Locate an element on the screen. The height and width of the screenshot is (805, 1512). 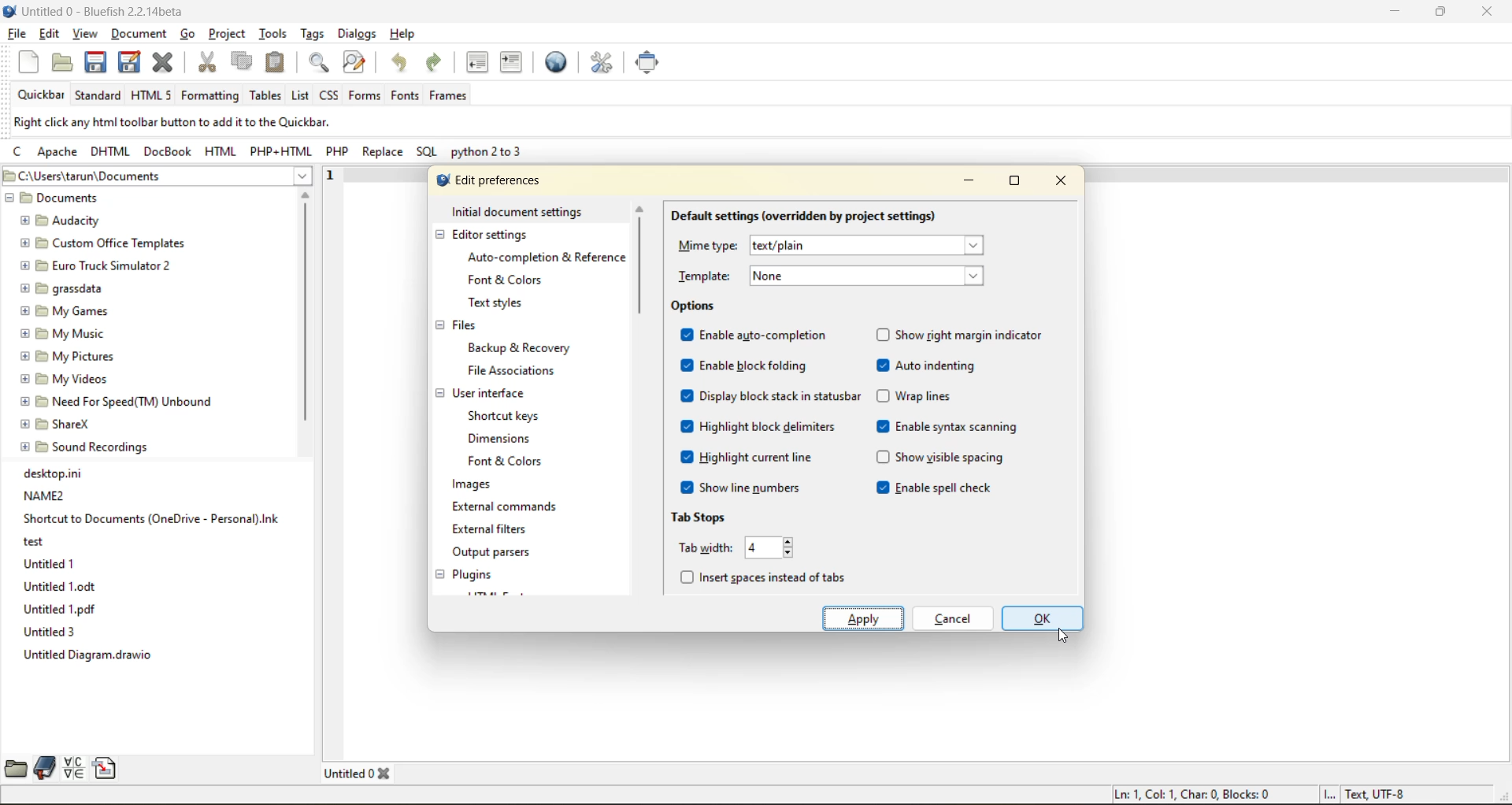
tags is located at coordinates (312, 34).